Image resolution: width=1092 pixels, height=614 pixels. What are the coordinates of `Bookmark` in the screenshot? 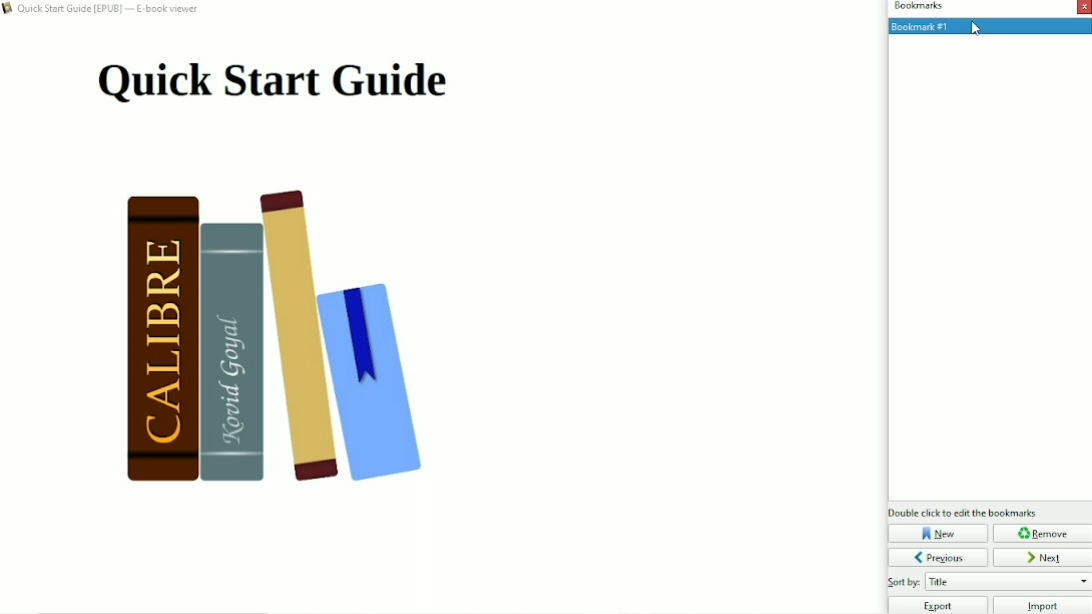 It's located at (988, 26).